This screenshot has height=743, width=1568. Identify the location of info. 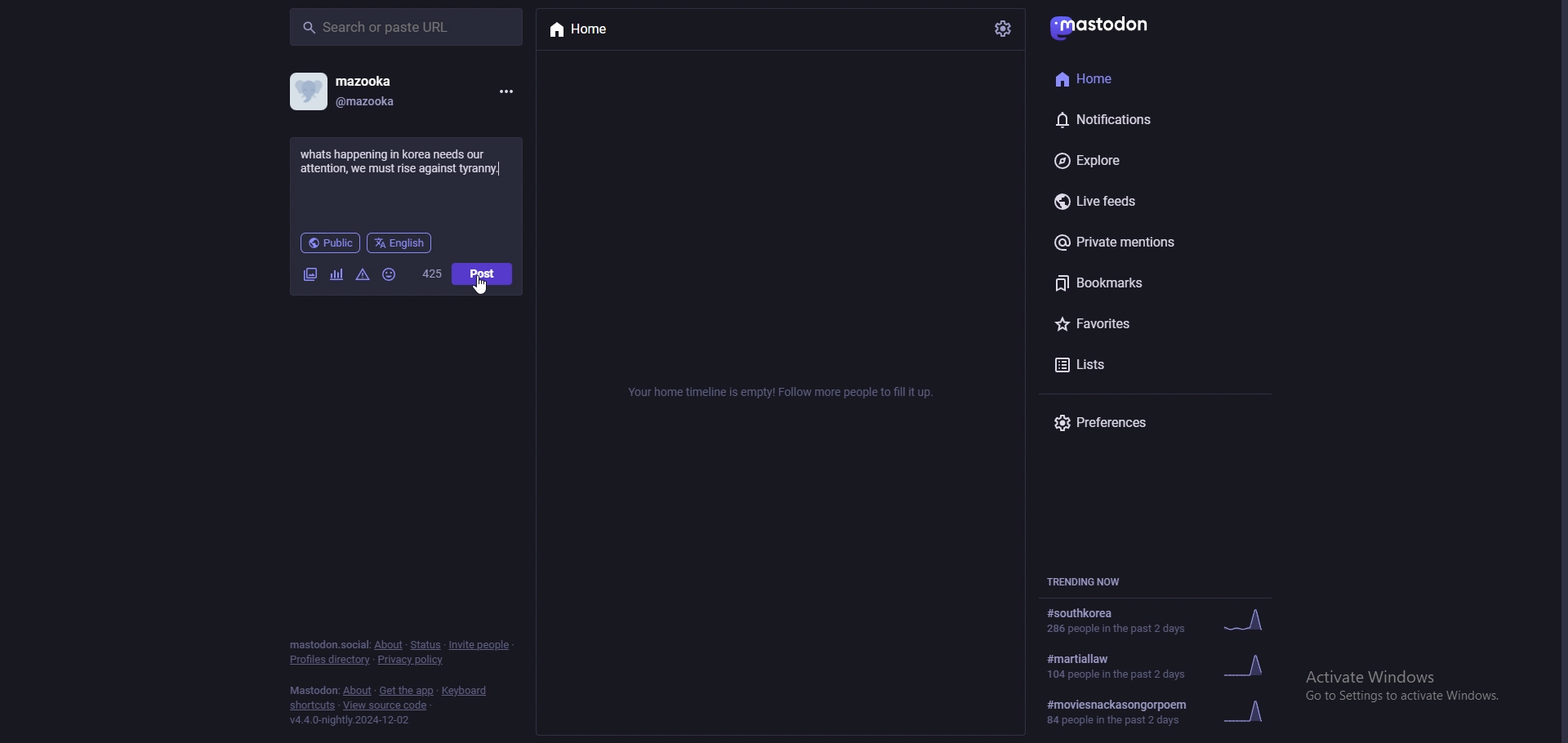
(785, 392).